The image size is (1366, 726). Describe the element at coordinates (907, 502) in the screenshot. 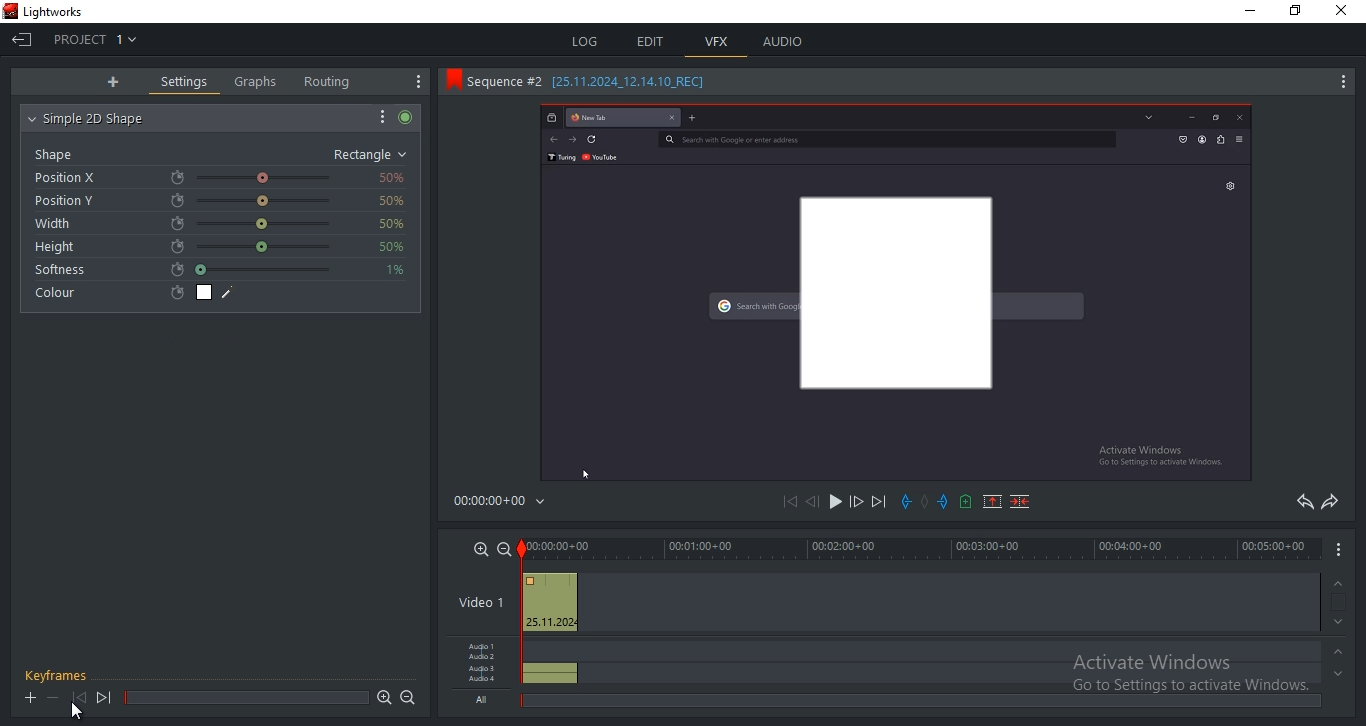

I see `add an in mark` at that location.